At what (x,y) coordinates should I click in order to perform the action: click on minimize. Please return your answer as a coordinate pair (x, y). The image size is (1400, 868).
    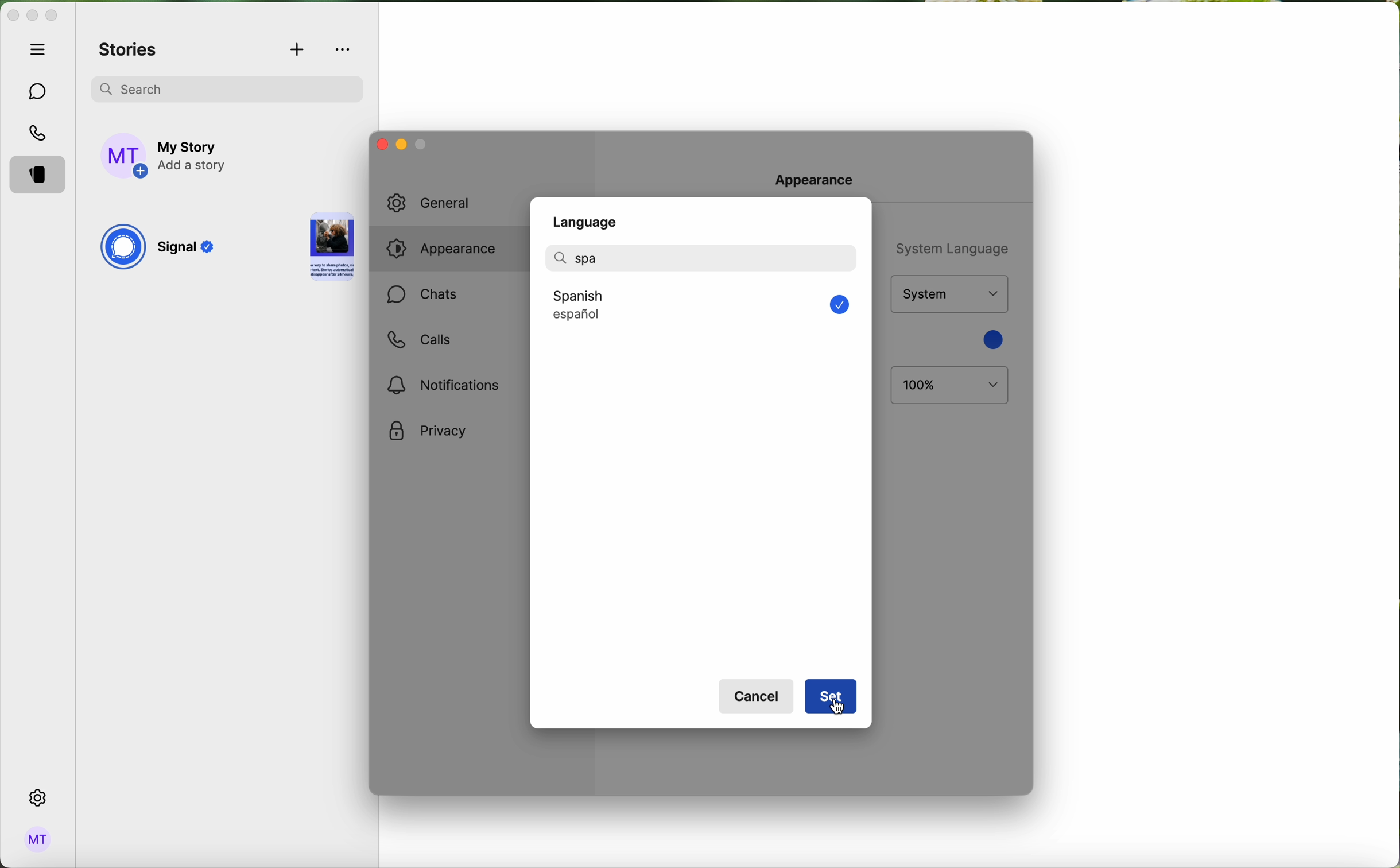
    Looking at the image, I should click on (400, 146).